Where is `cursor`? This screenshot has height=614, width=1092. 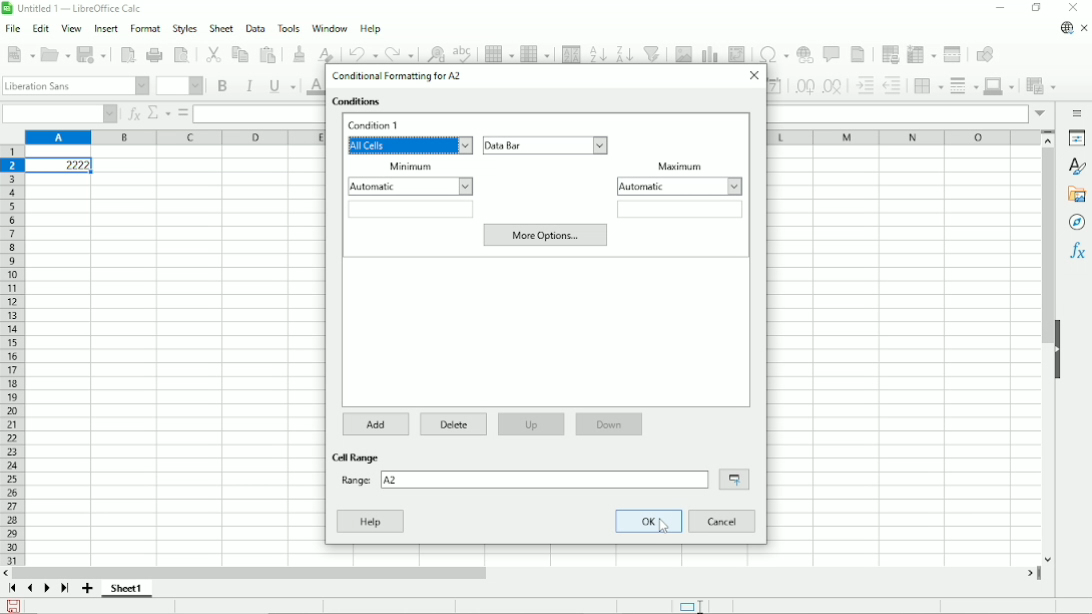 cursor is located at coordinates (664, 525).